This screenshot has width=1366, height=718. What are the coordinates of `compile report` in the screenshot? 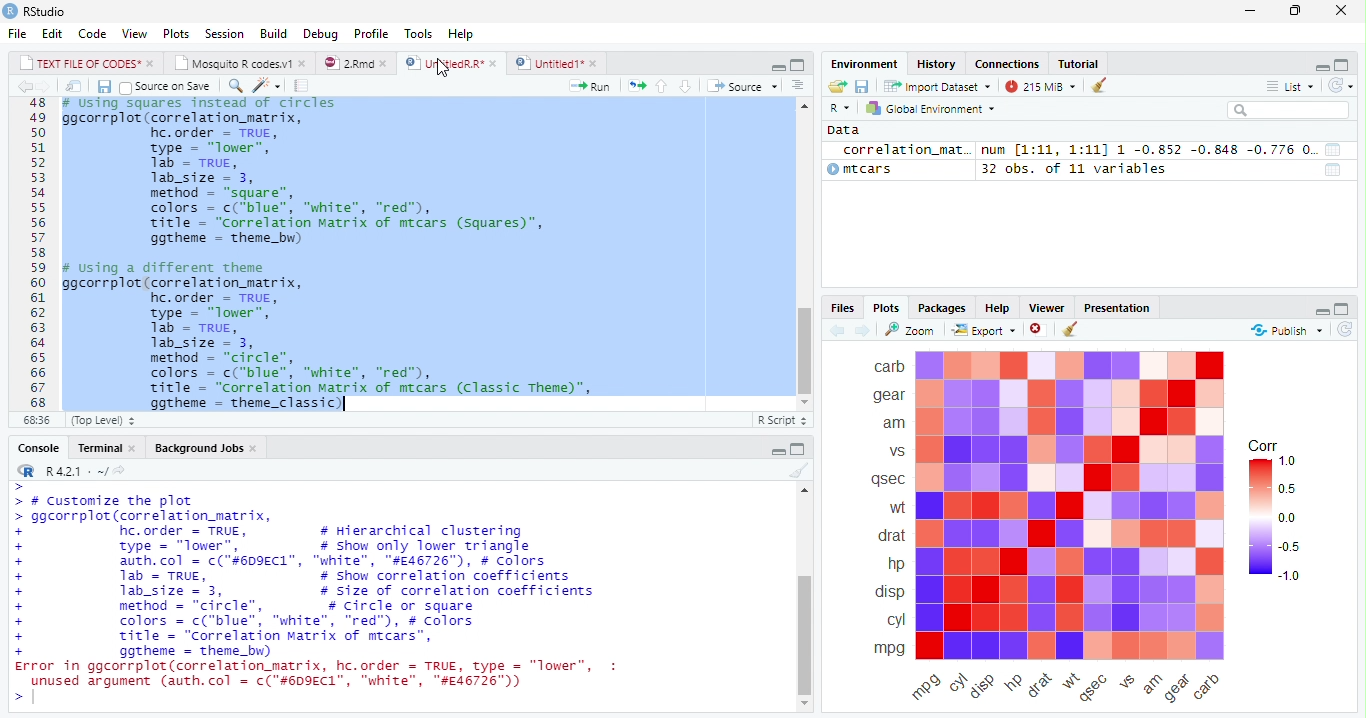 It's located at (304, 88).